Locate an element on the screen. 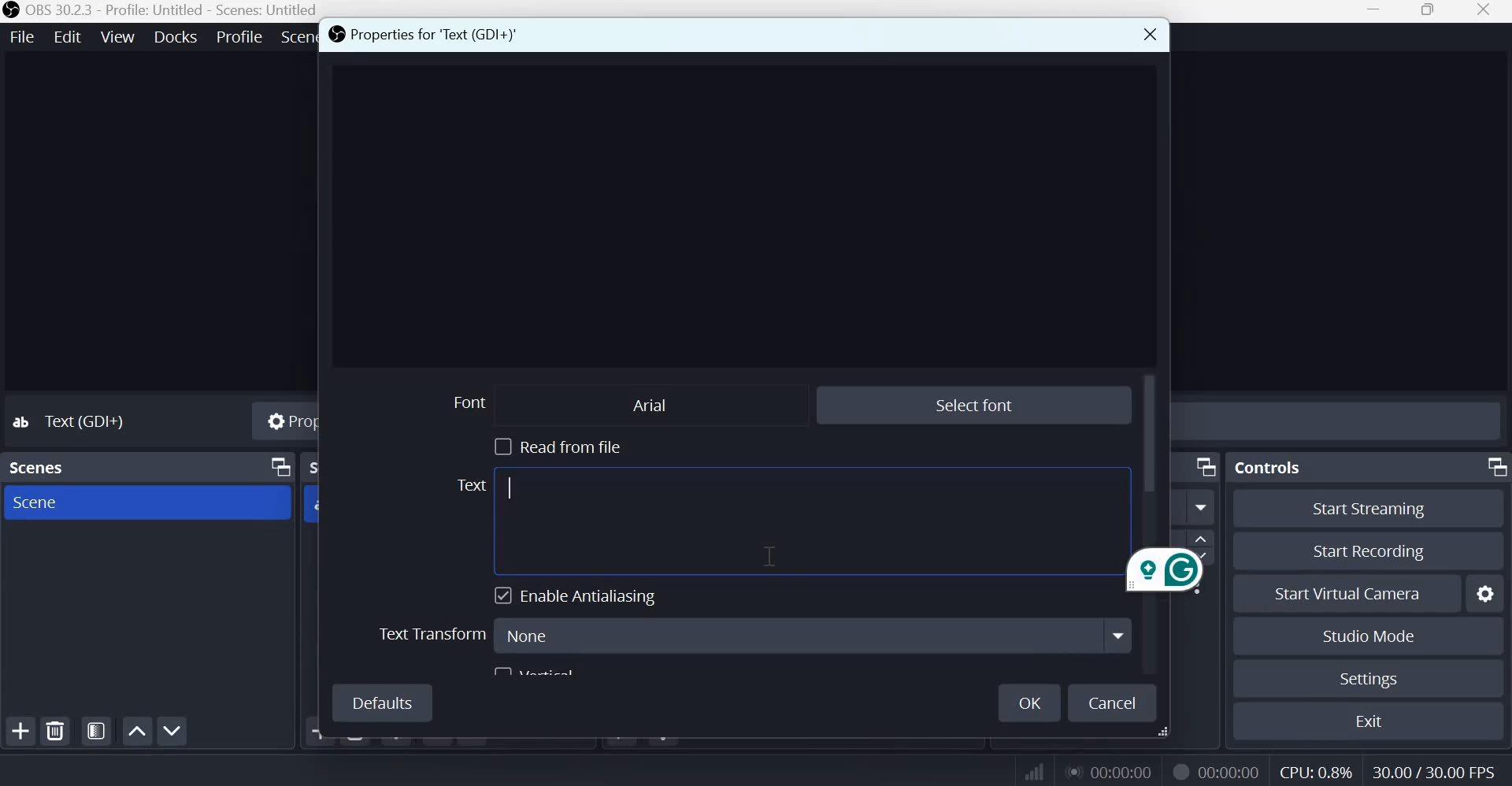  Exit is located at coordinates (1373, 721).